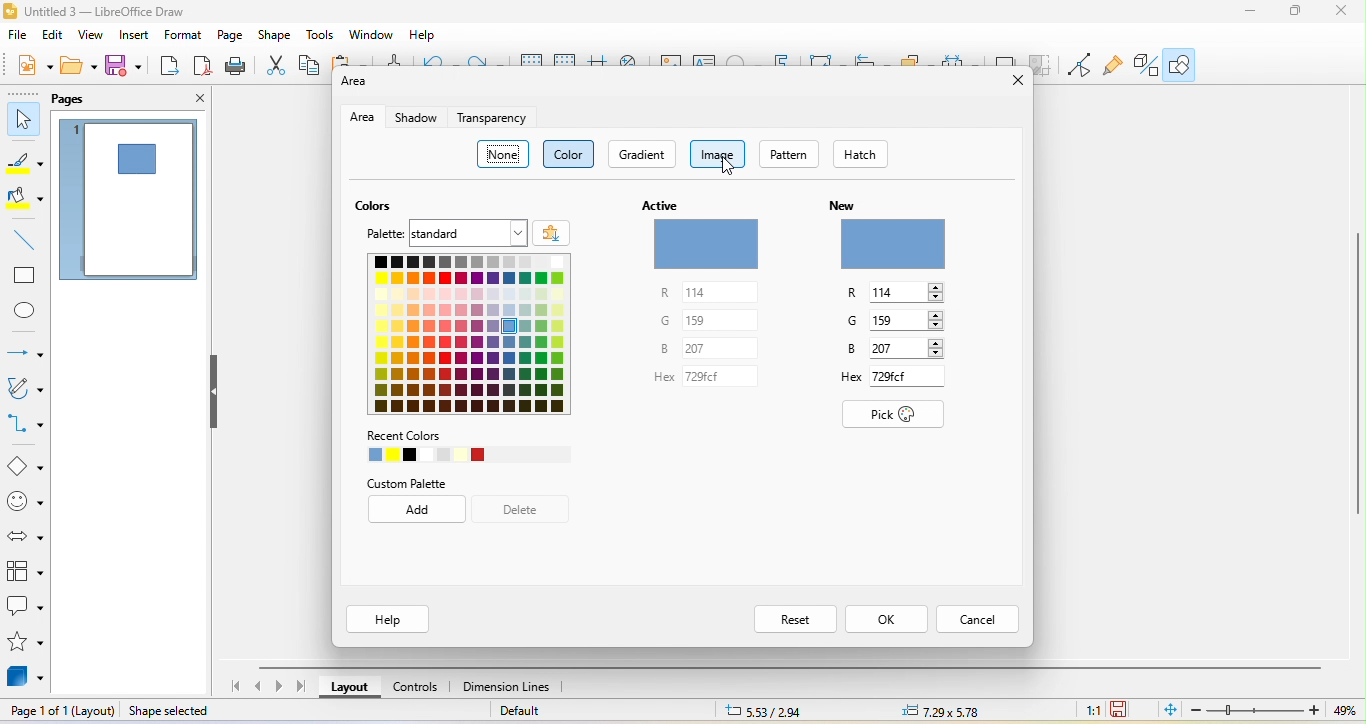  What do you see at coordinates (24, 501) in the screenshot?
I see `symbol shapes` at bounding box center [24, 501].